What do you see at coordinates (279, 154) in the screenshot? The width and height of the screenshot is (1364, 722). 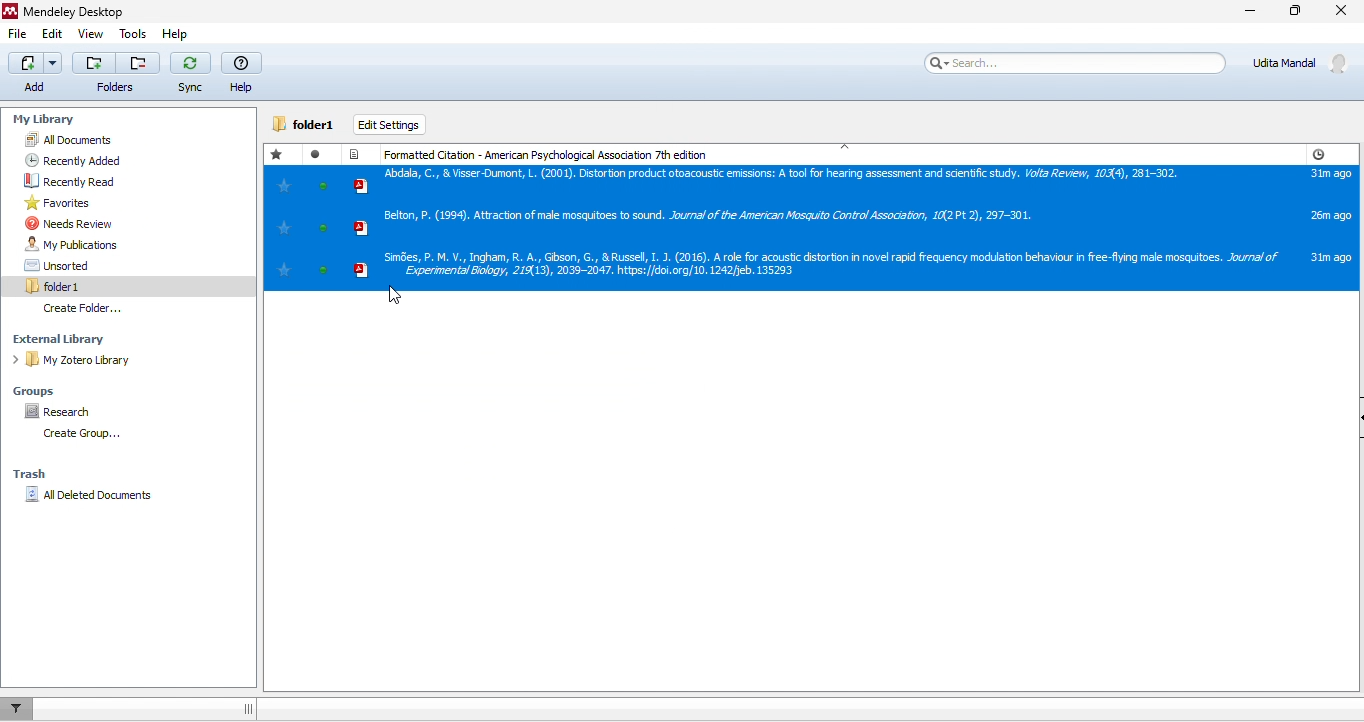 I see `Stared ` at bounding box center [279, 154].